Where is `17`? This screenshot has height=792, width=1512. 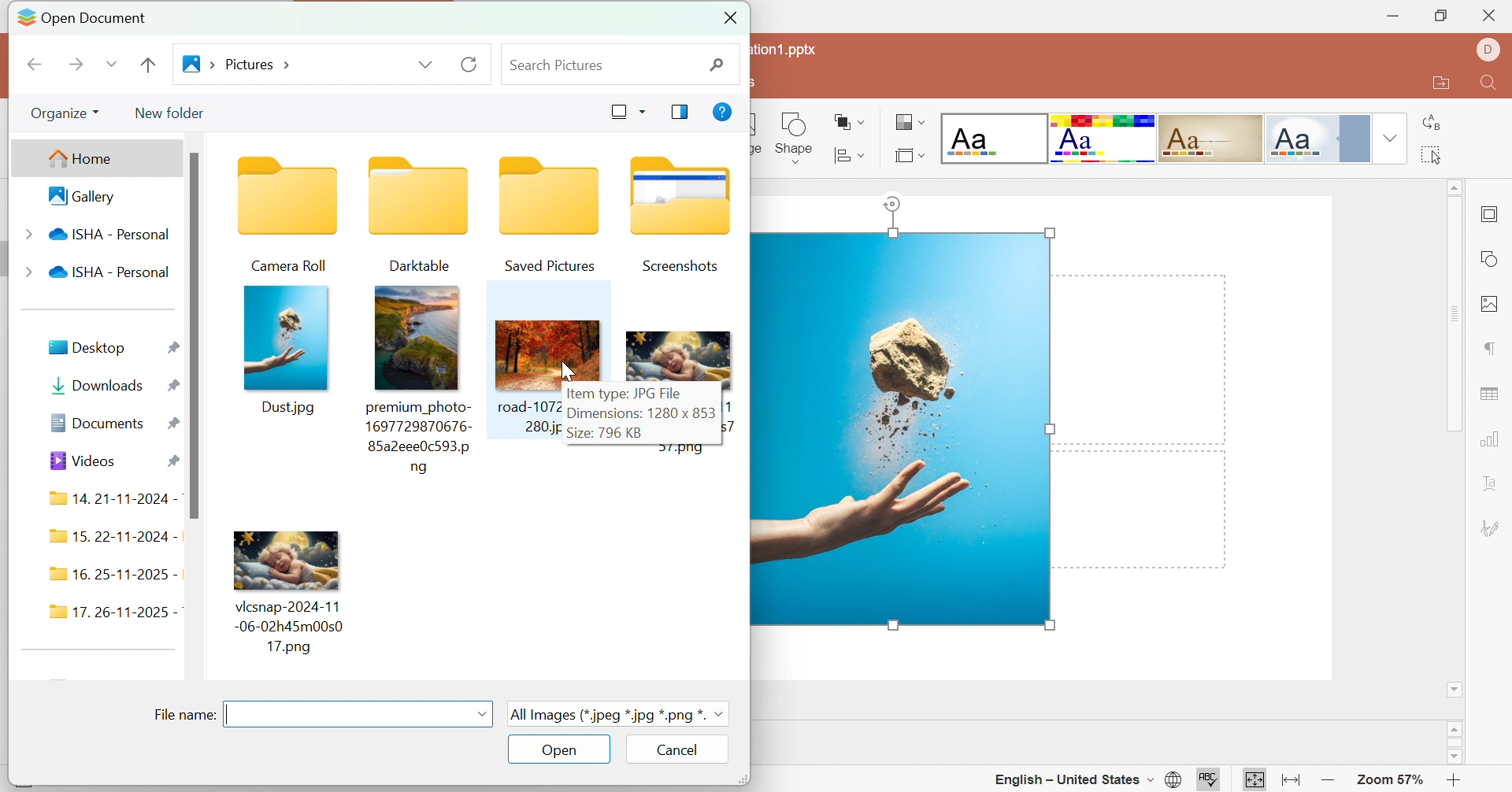 17 is located at coordinates (731, 416).